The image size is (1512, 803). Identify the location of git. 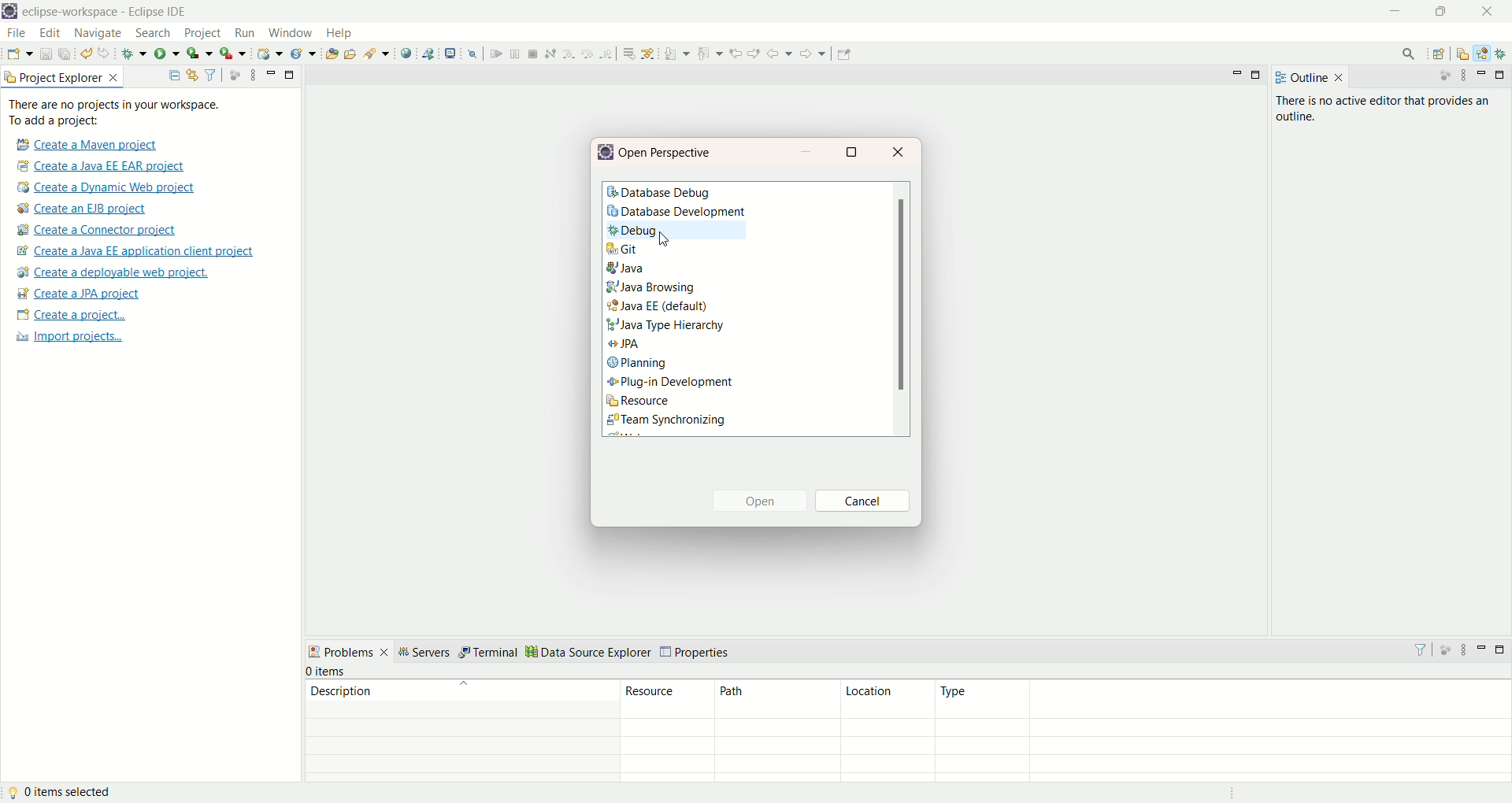
(622, 249).